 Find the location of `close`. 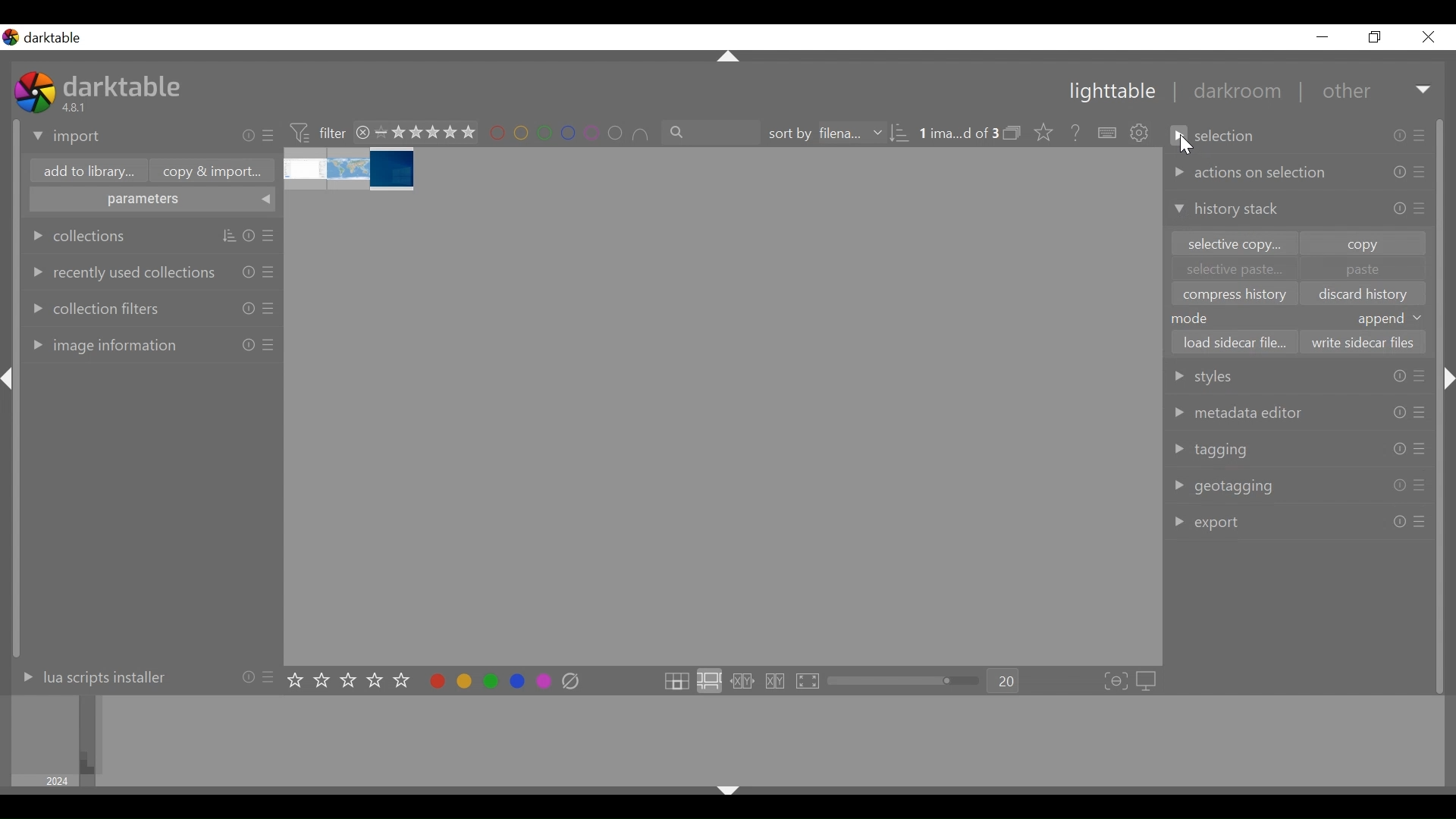

close is located at coordinates (1427, 37).